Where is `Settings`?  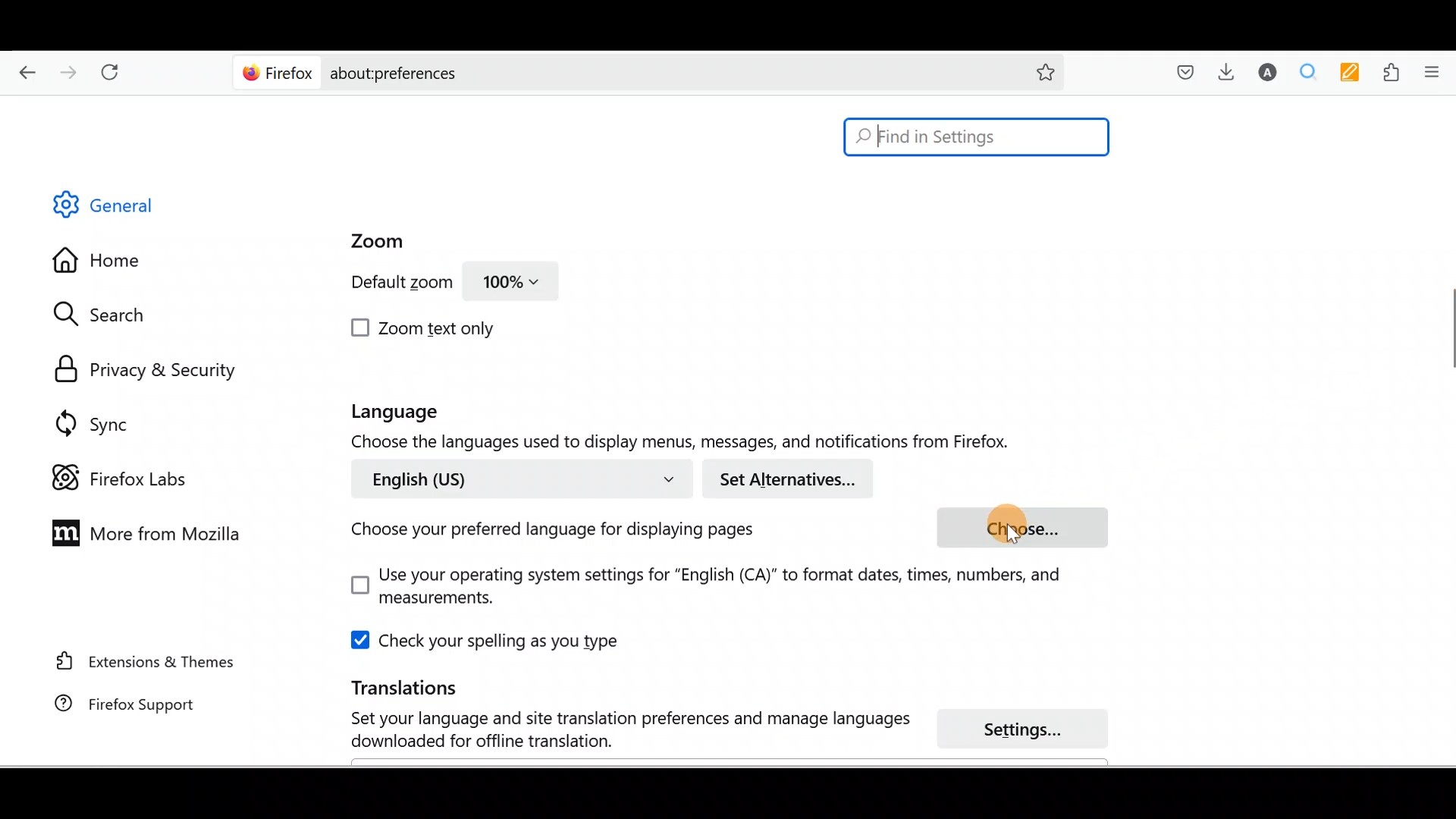 Settings is located at coordinates (1031, 730).